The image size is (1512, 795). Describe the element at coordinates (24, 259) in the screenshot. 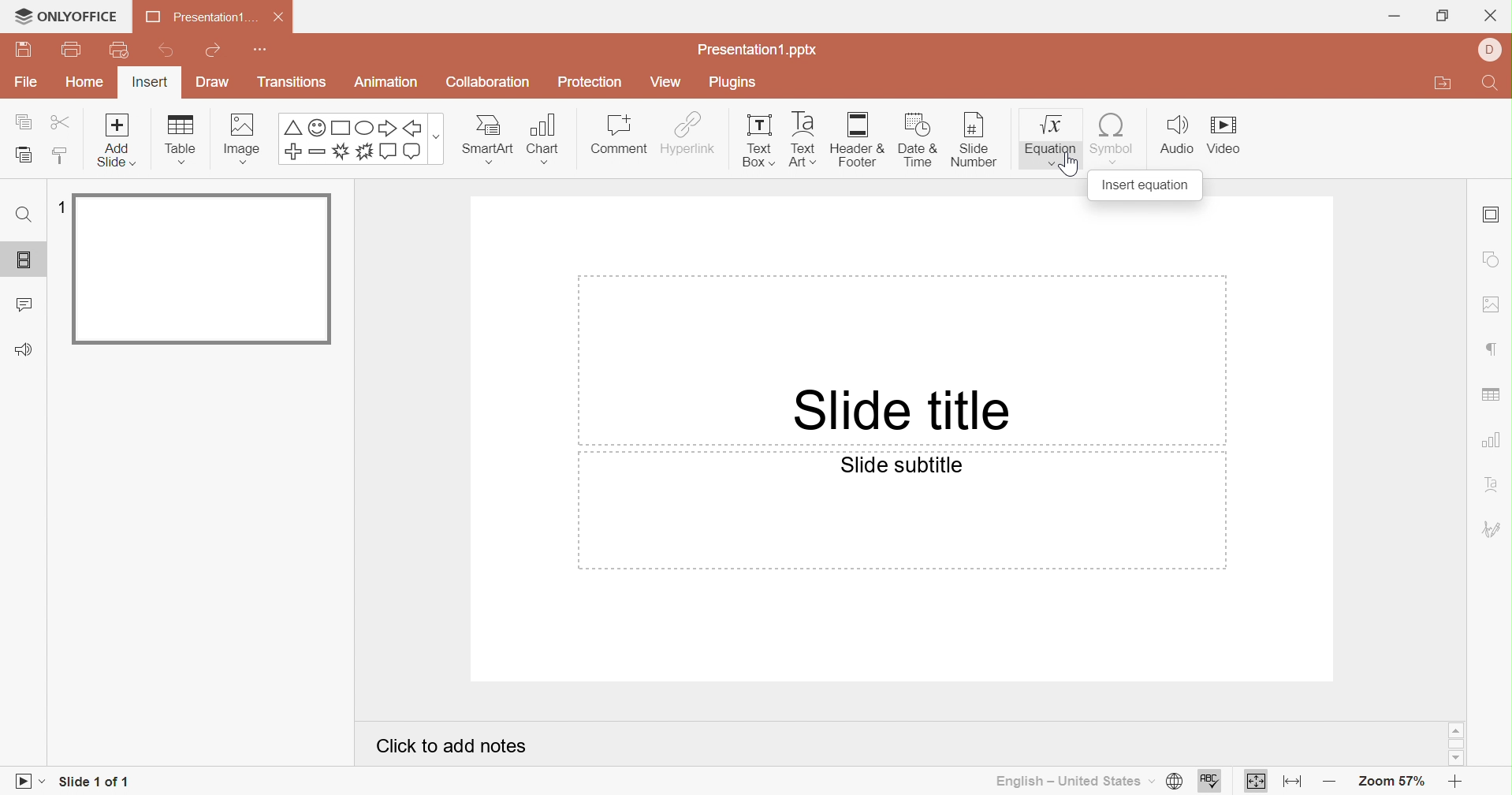

I see `Slides` at that location.